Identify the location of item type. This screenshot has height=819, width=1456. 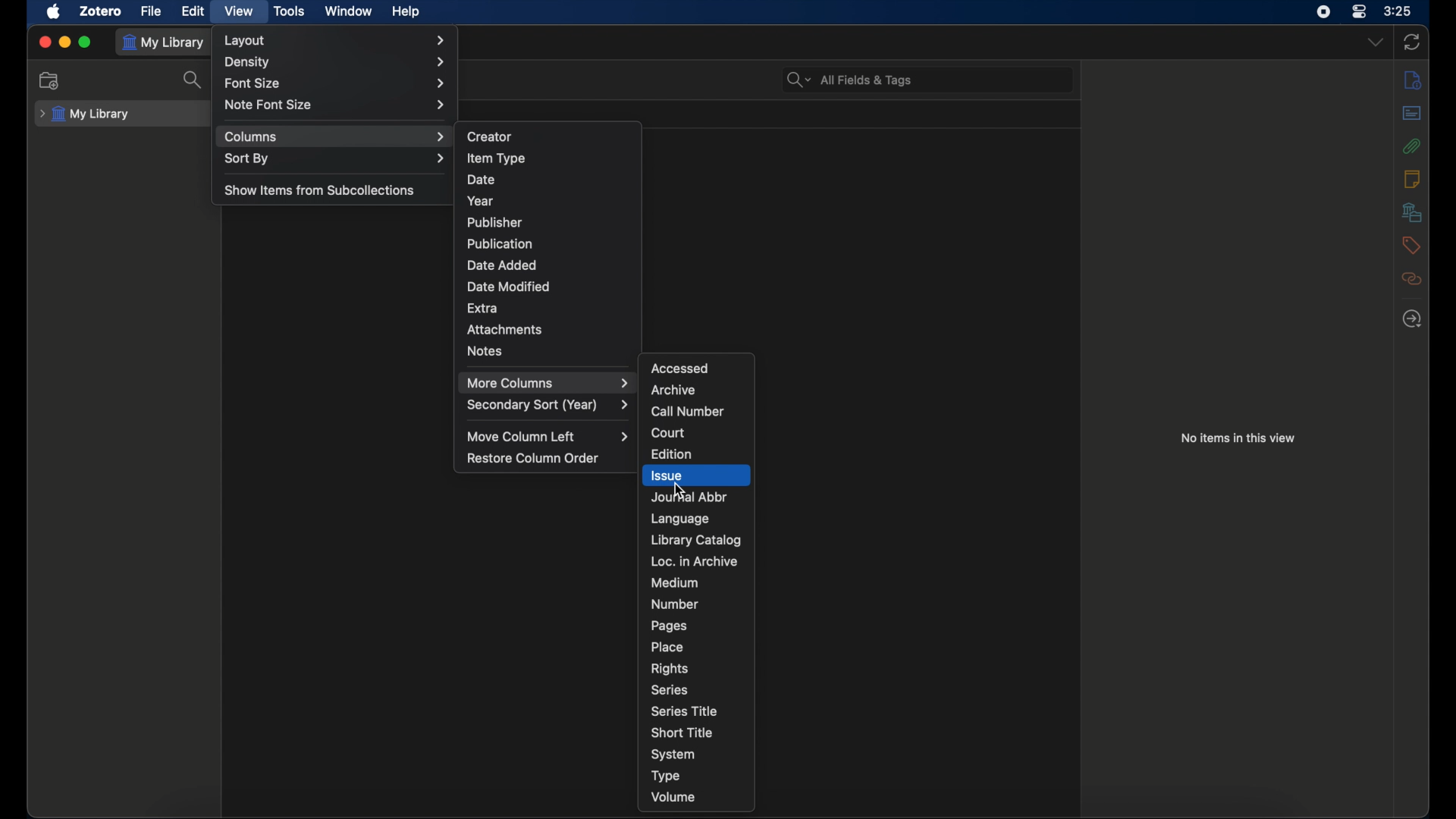
(497, 158).